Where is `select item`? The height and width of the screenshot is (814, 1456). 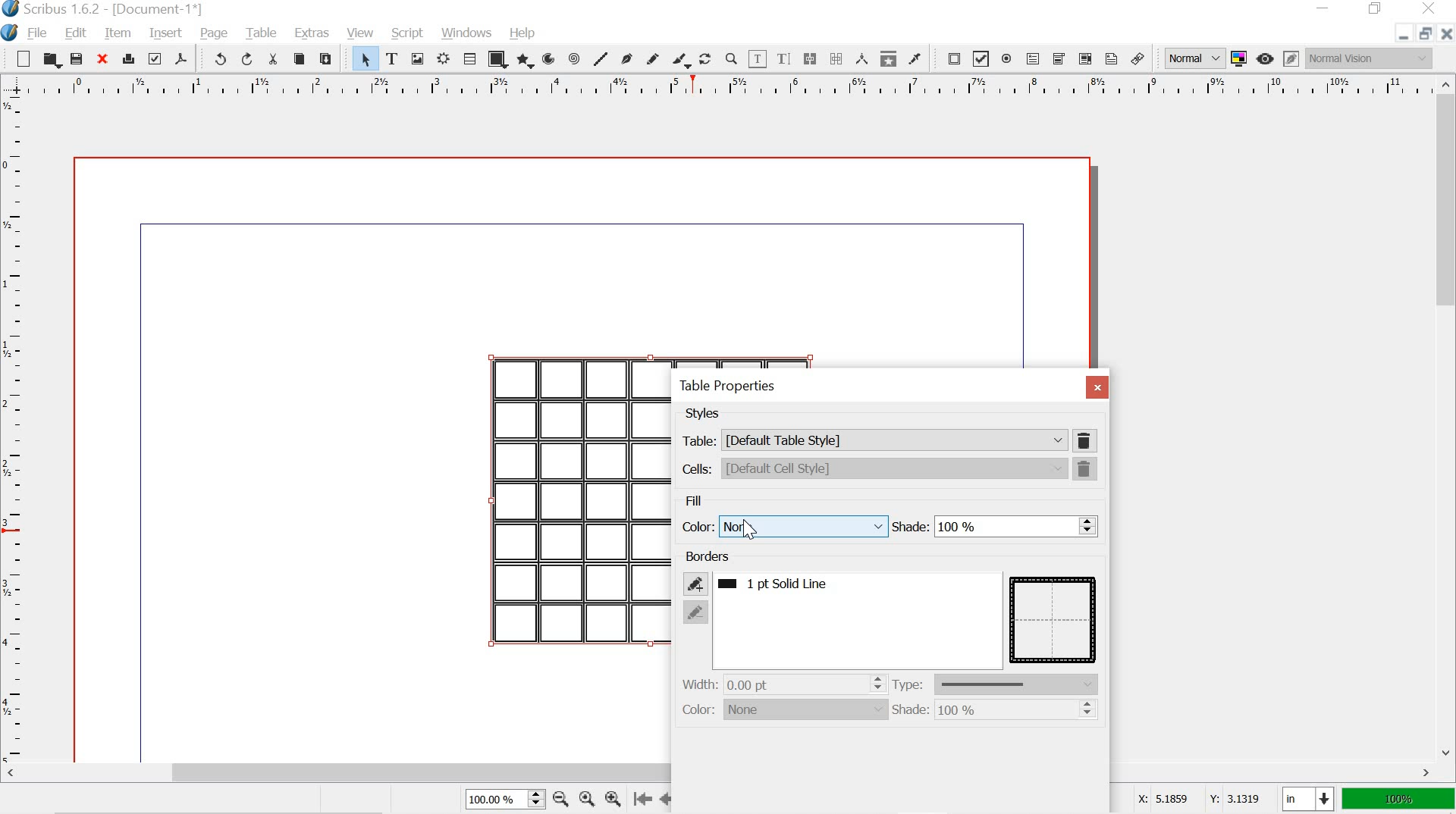 select item is located at coordinates (365, 60).